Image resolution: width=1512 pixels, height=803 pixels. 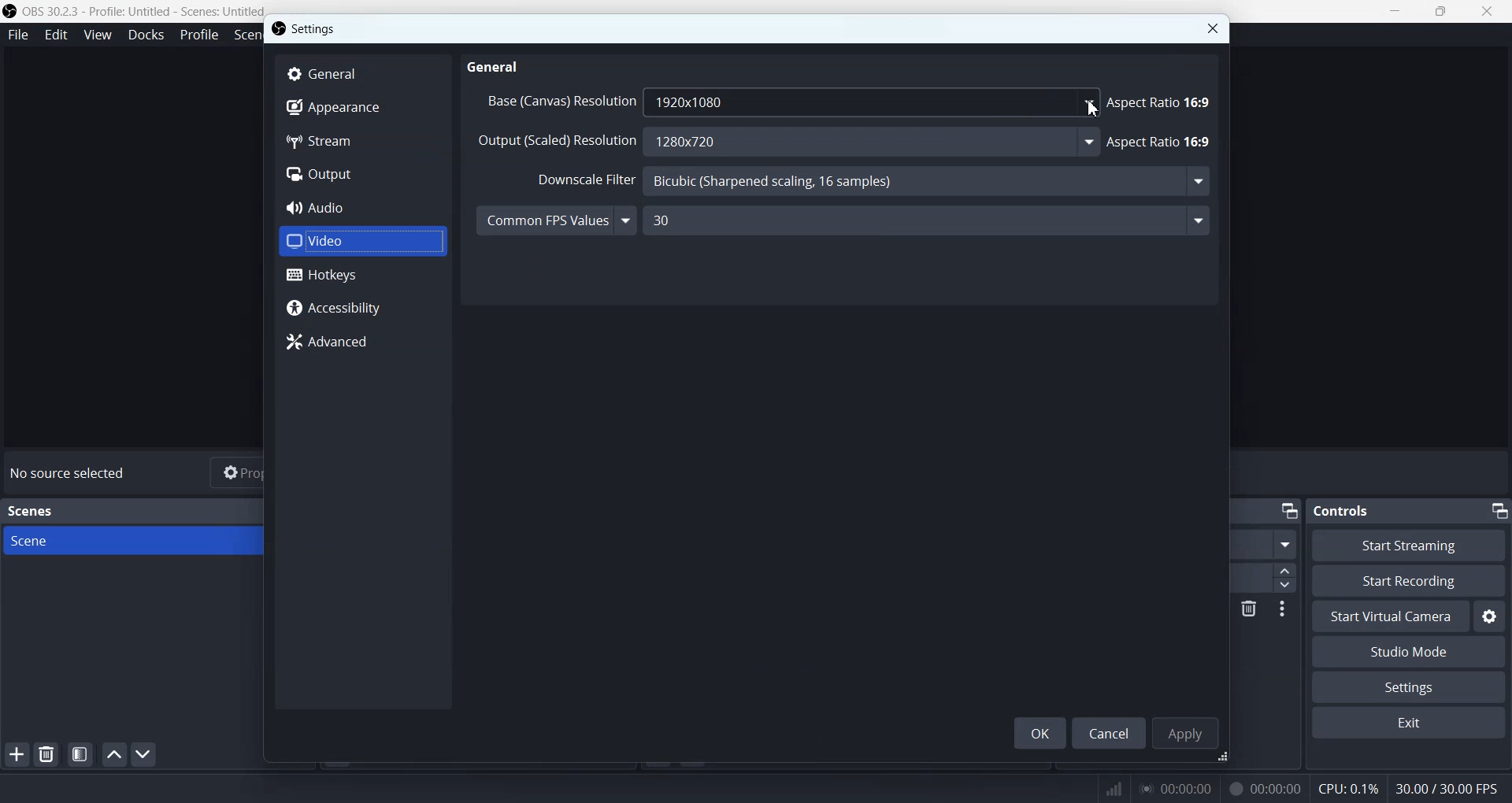 I want to click on Start Recording, so click(x=1410, y=581).